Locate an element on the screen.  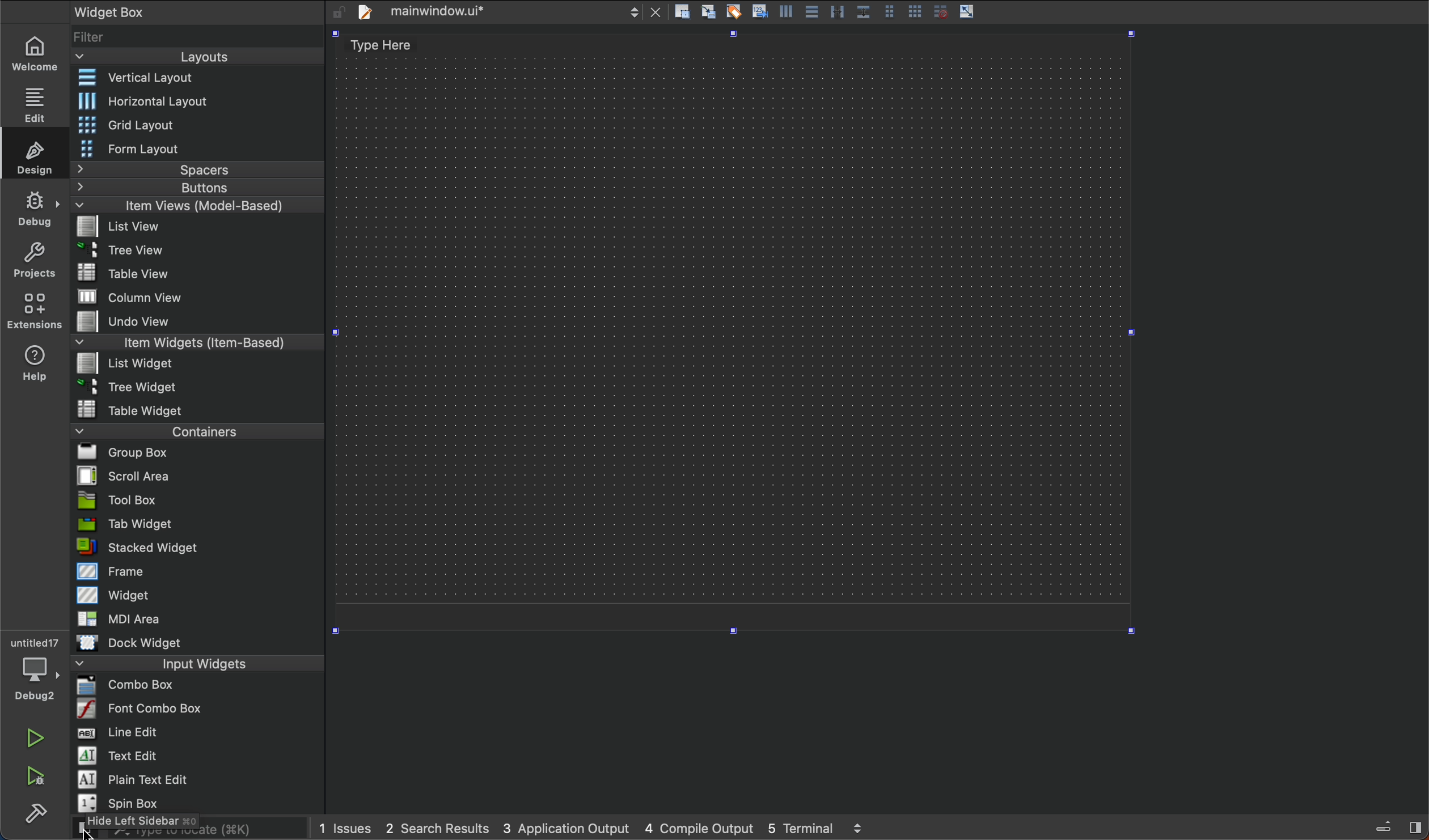
Vertical Layout is located at coordinates (185, 78).